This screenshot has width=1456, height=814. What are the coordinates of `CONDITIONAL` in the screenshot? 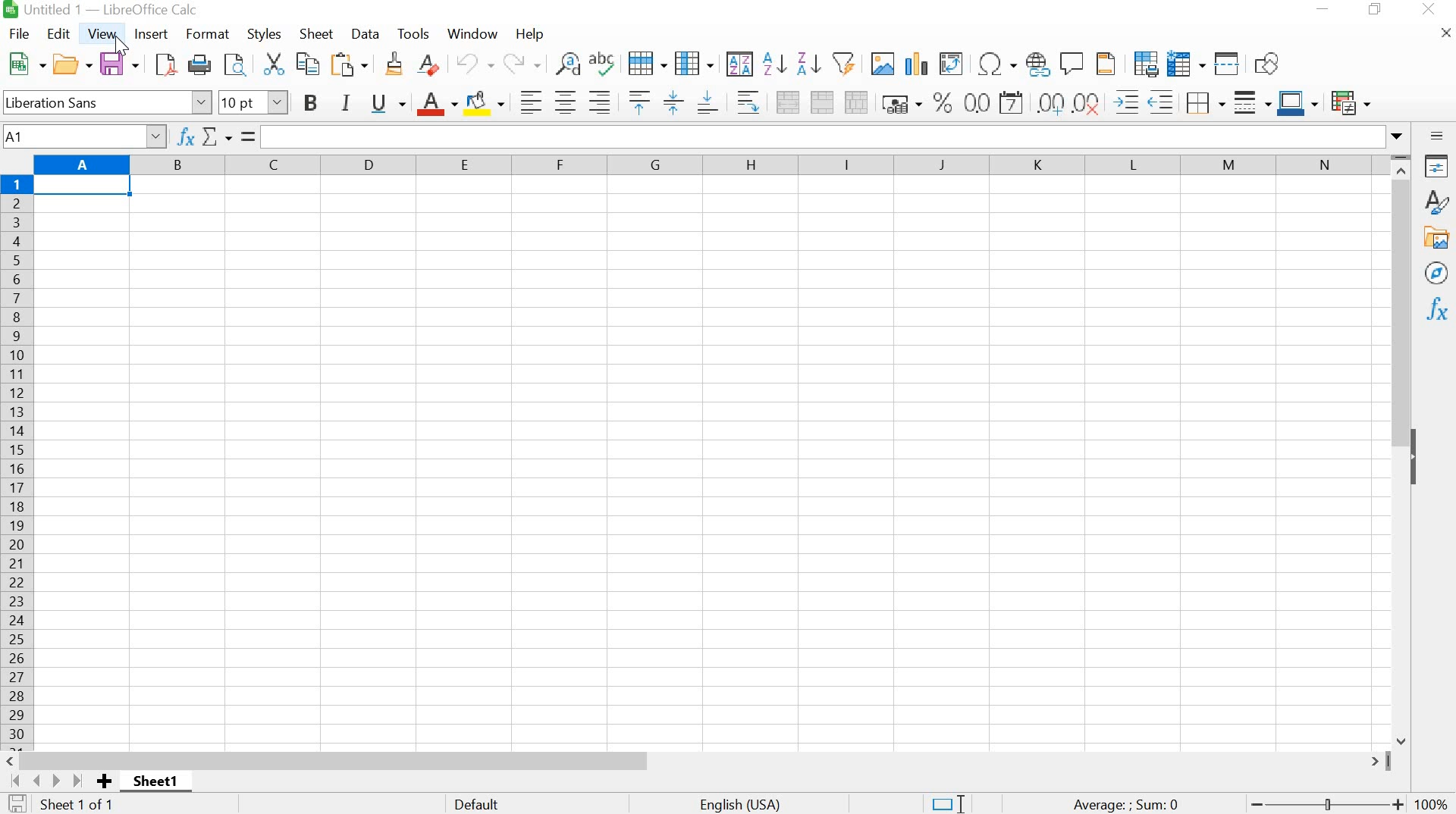 It's located at (1354, 100).